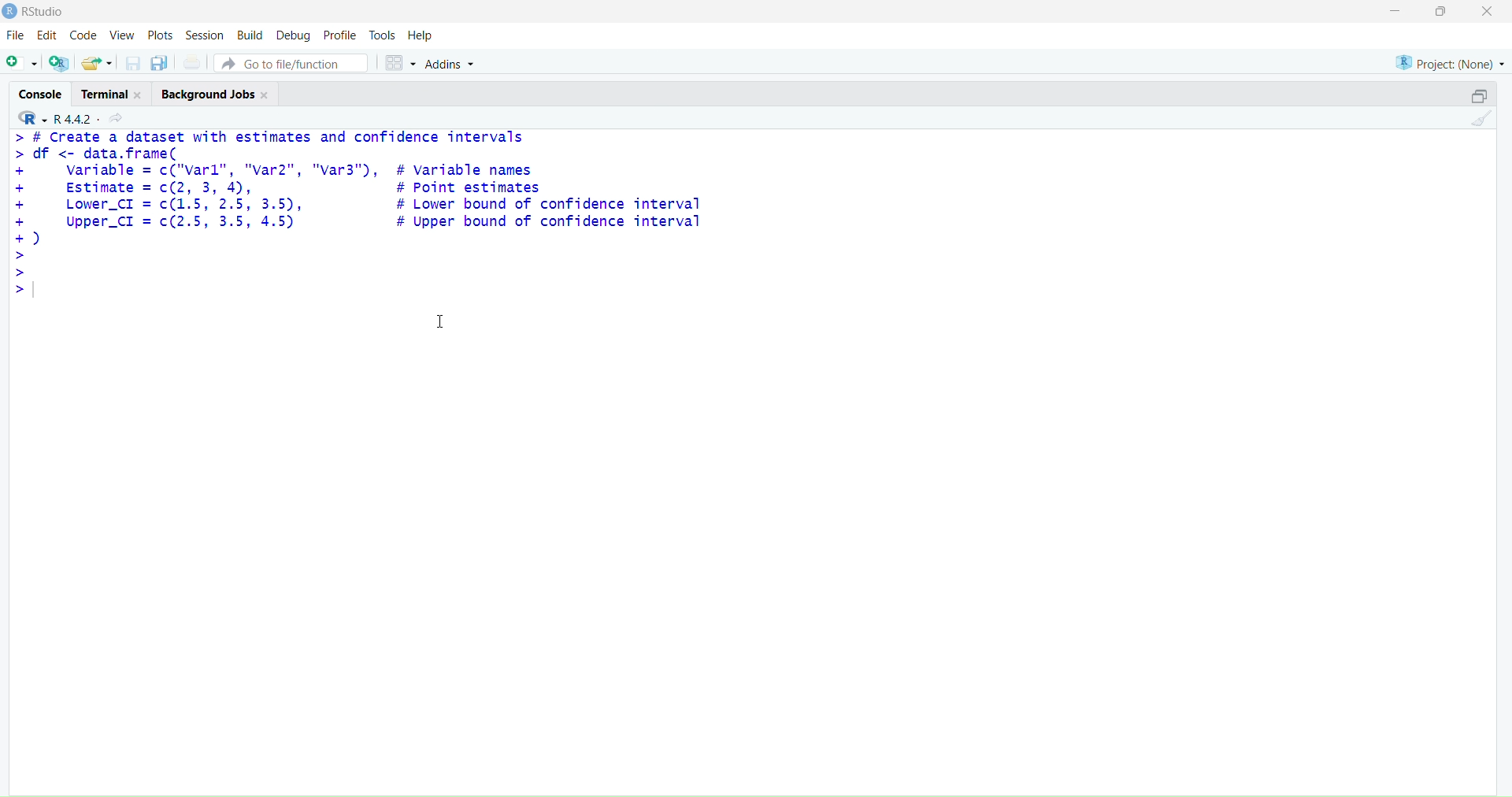  Describe the element at coordinates (14, 35) in the screenshot. I see `File` at that location.